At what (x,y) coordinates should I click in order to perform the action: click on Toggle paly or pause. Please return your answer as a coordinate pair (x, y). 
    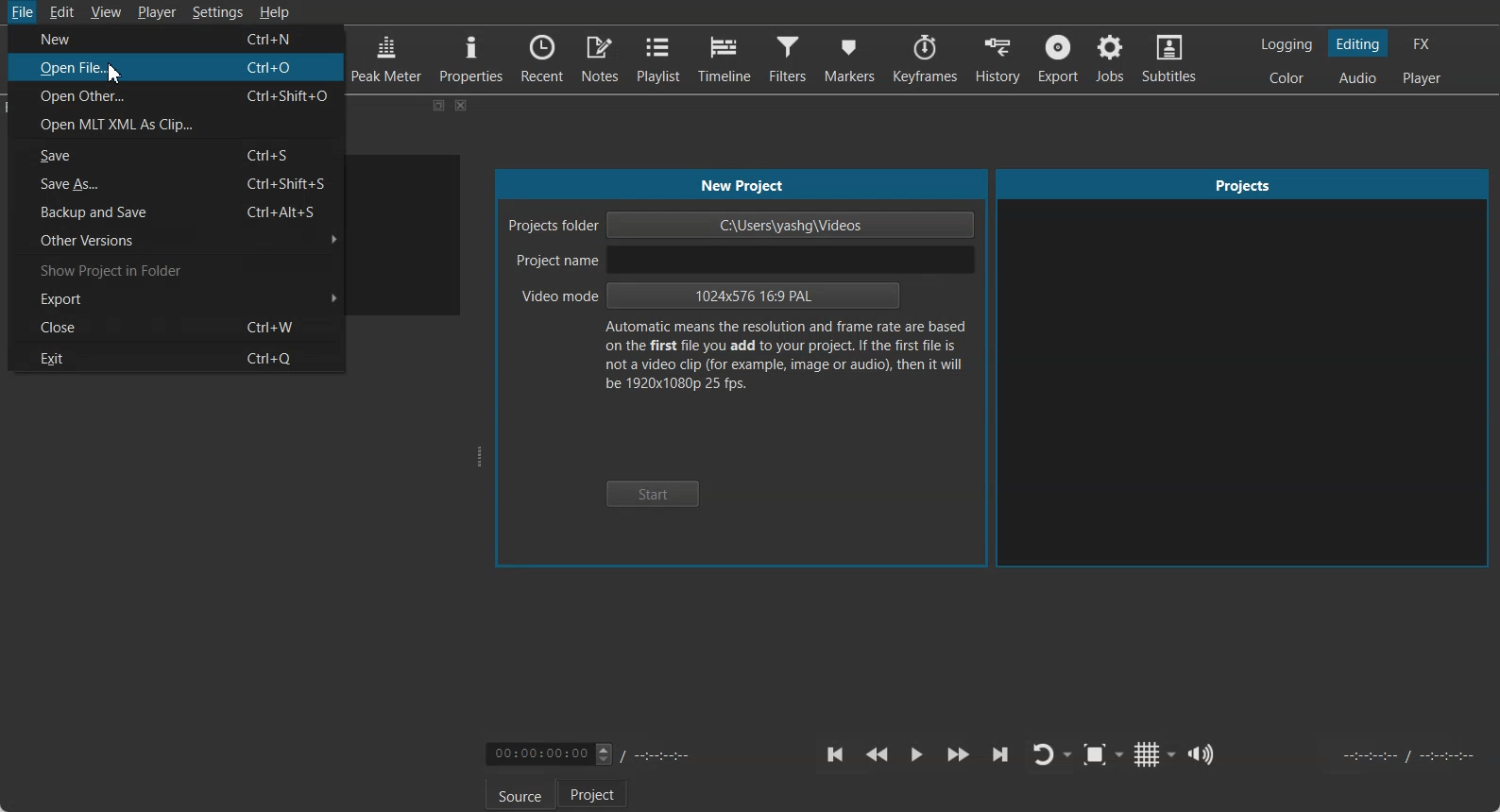
    Looking at the image, I should click on (915, 755).